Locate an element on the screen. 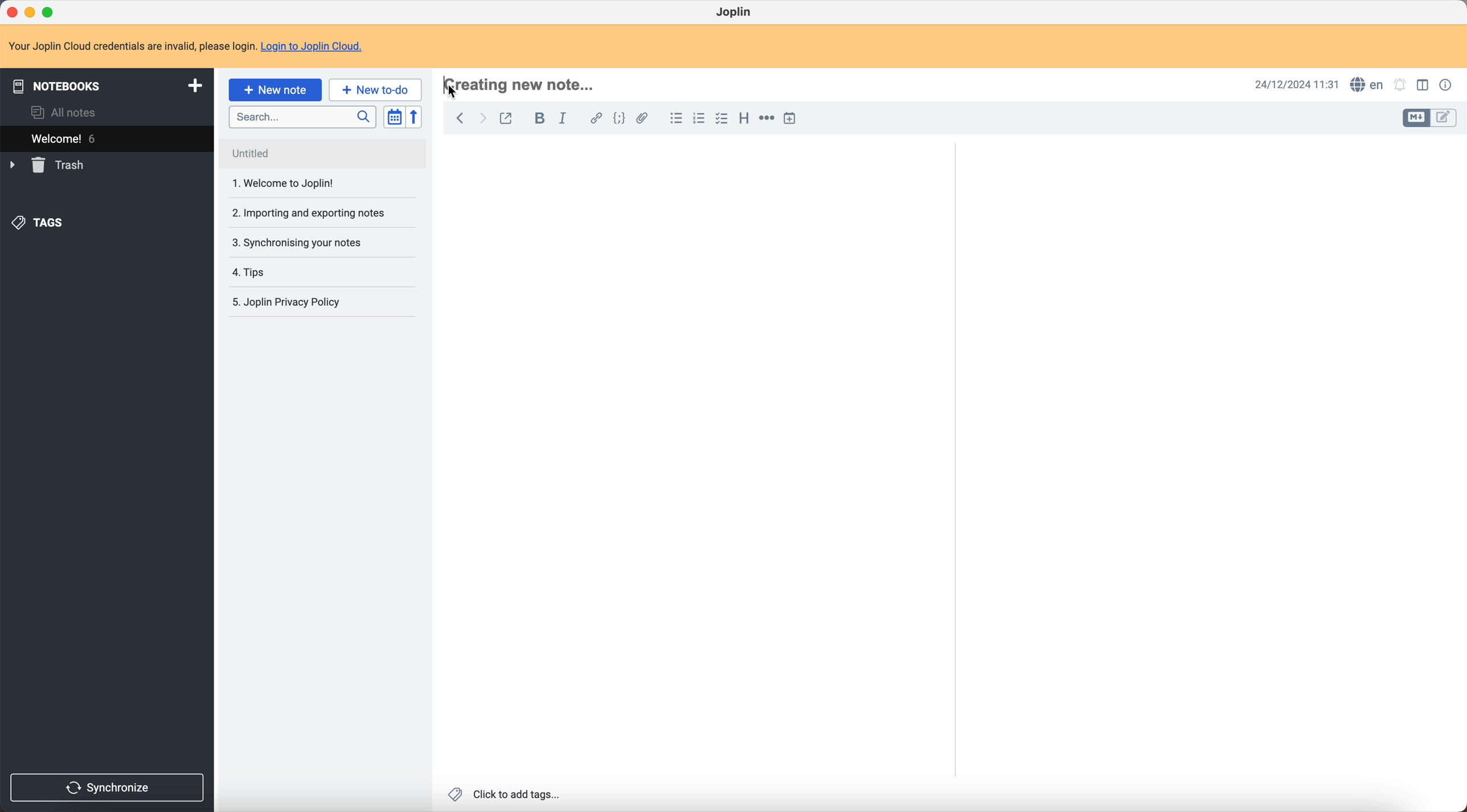  toggle edit layout is located at coordinates (1417, 118).